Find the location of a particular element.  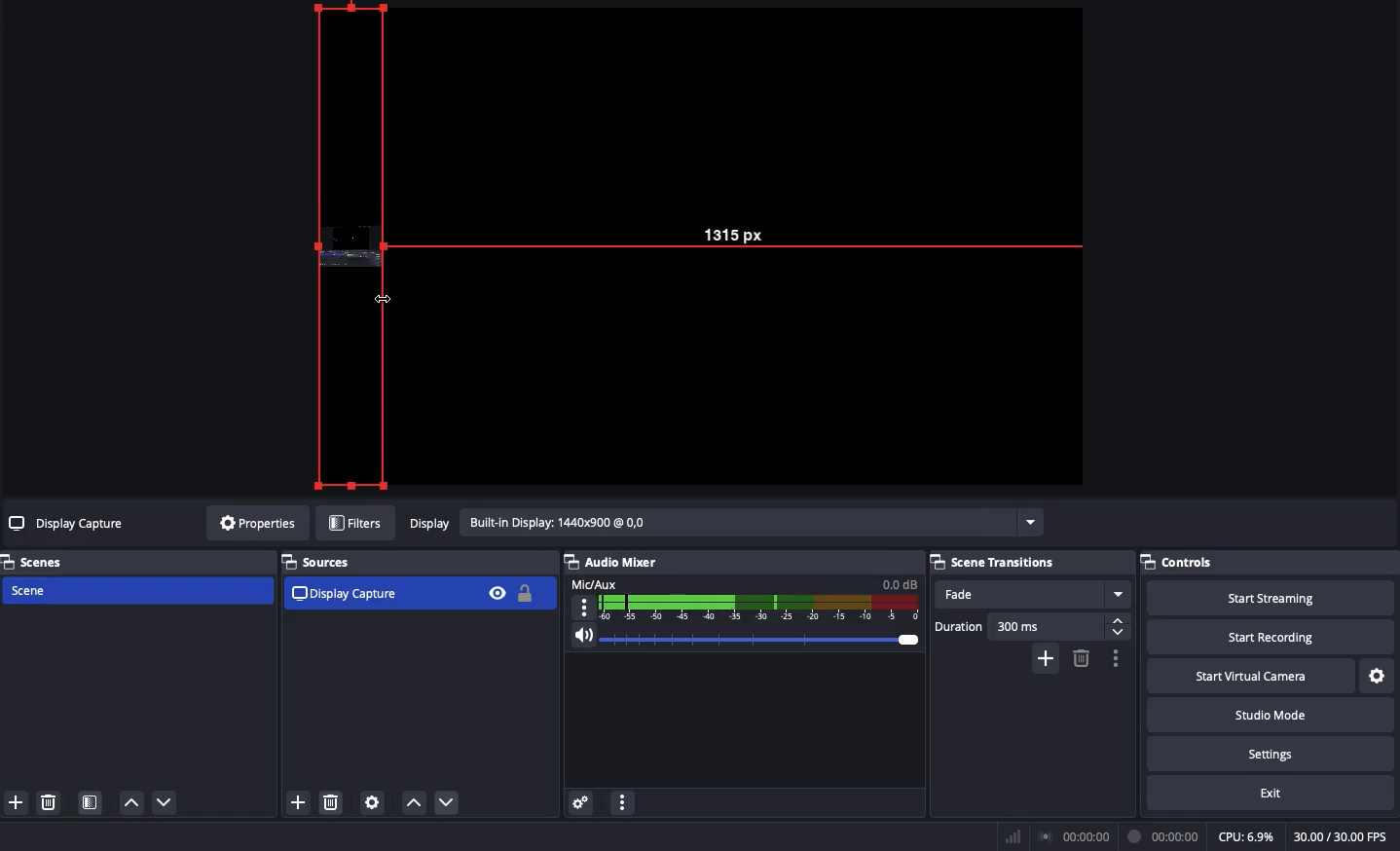

1315 px is located at coordinates (747, 230).